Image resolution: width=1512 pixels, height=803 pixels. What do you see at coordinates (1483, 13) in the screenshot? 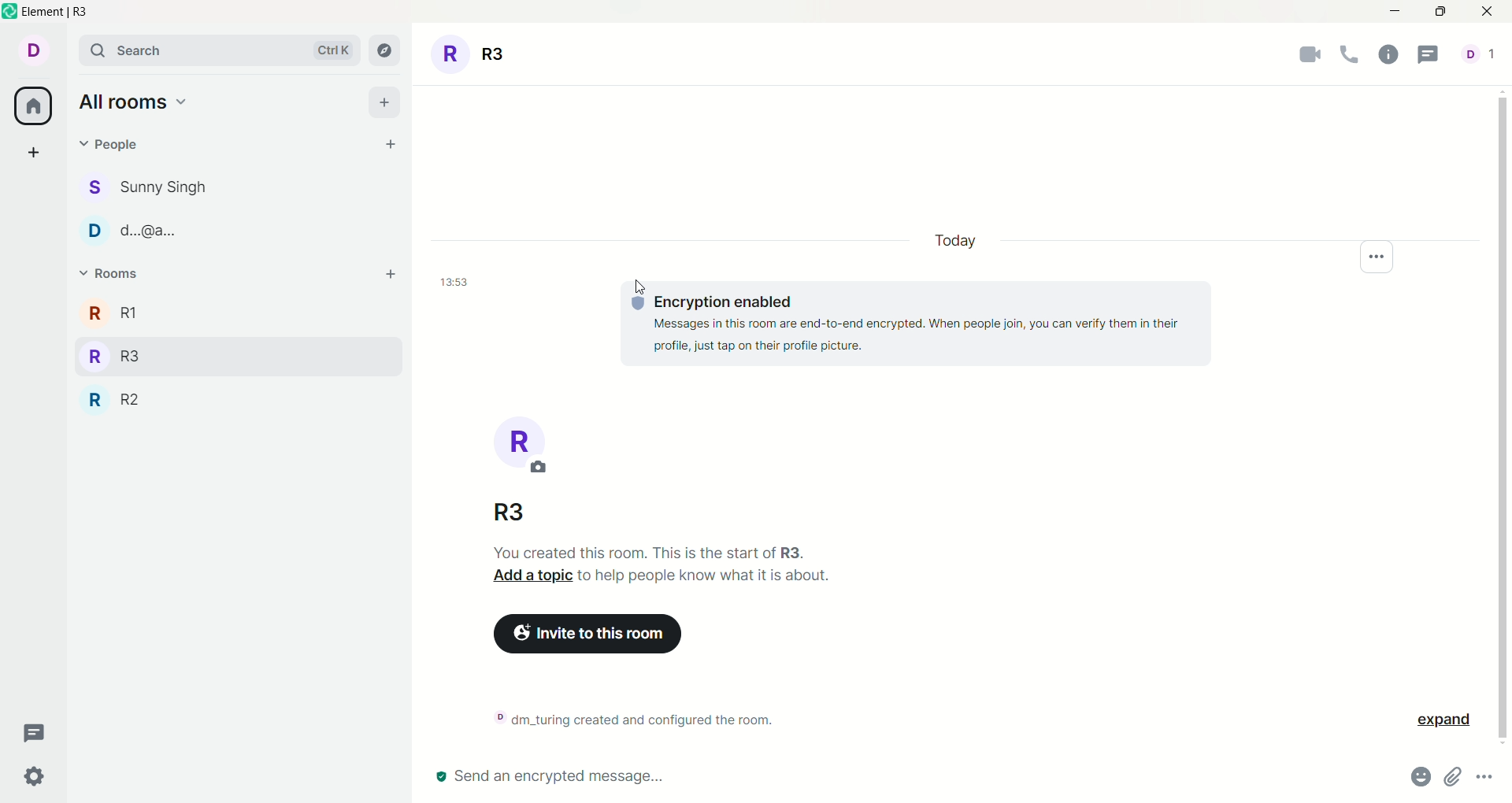
I see `close` at bounding box center [1483, 13].